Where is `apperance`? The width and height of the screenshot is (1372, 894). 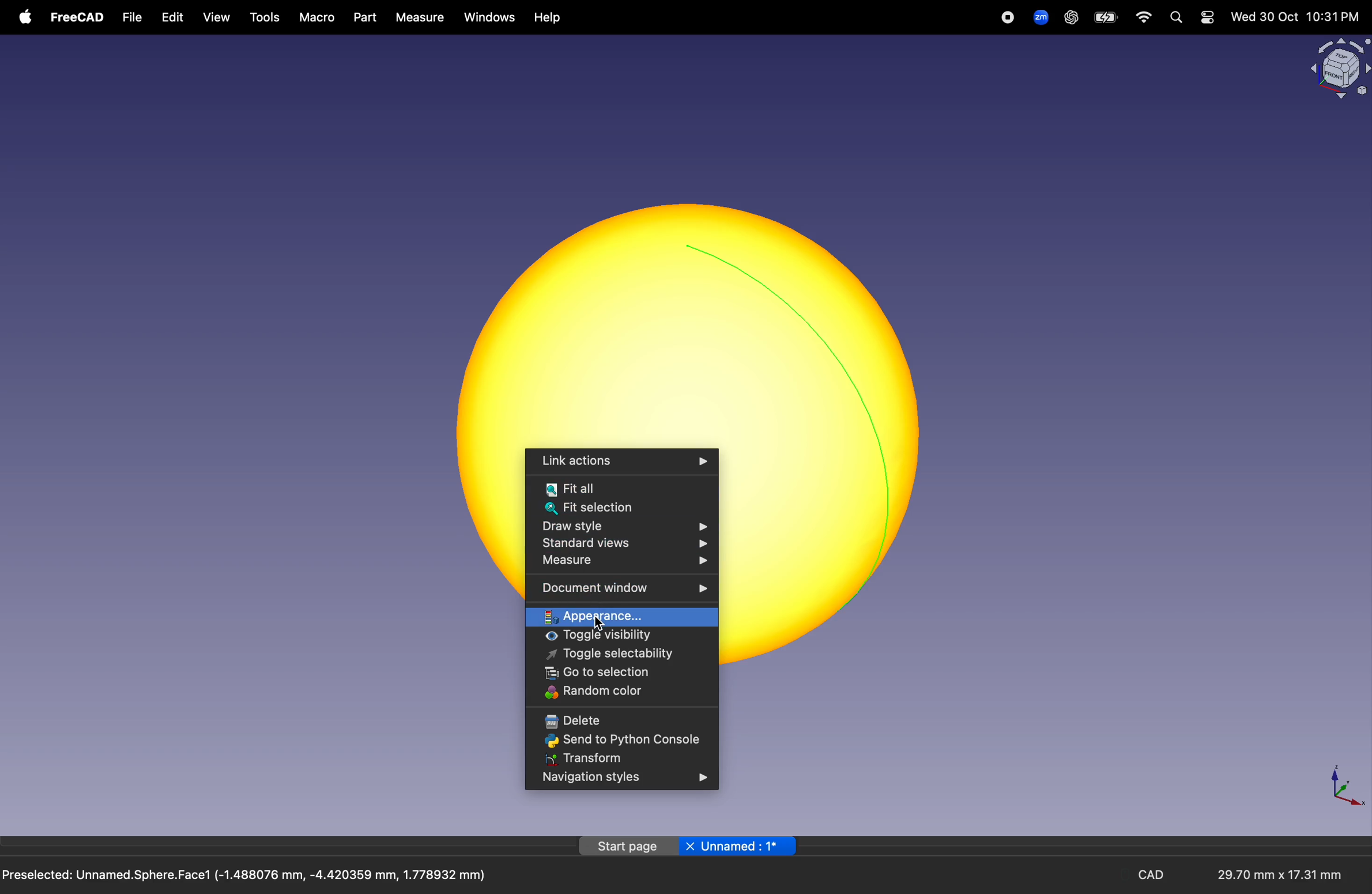
apperance is located at coordinates (623, 614).